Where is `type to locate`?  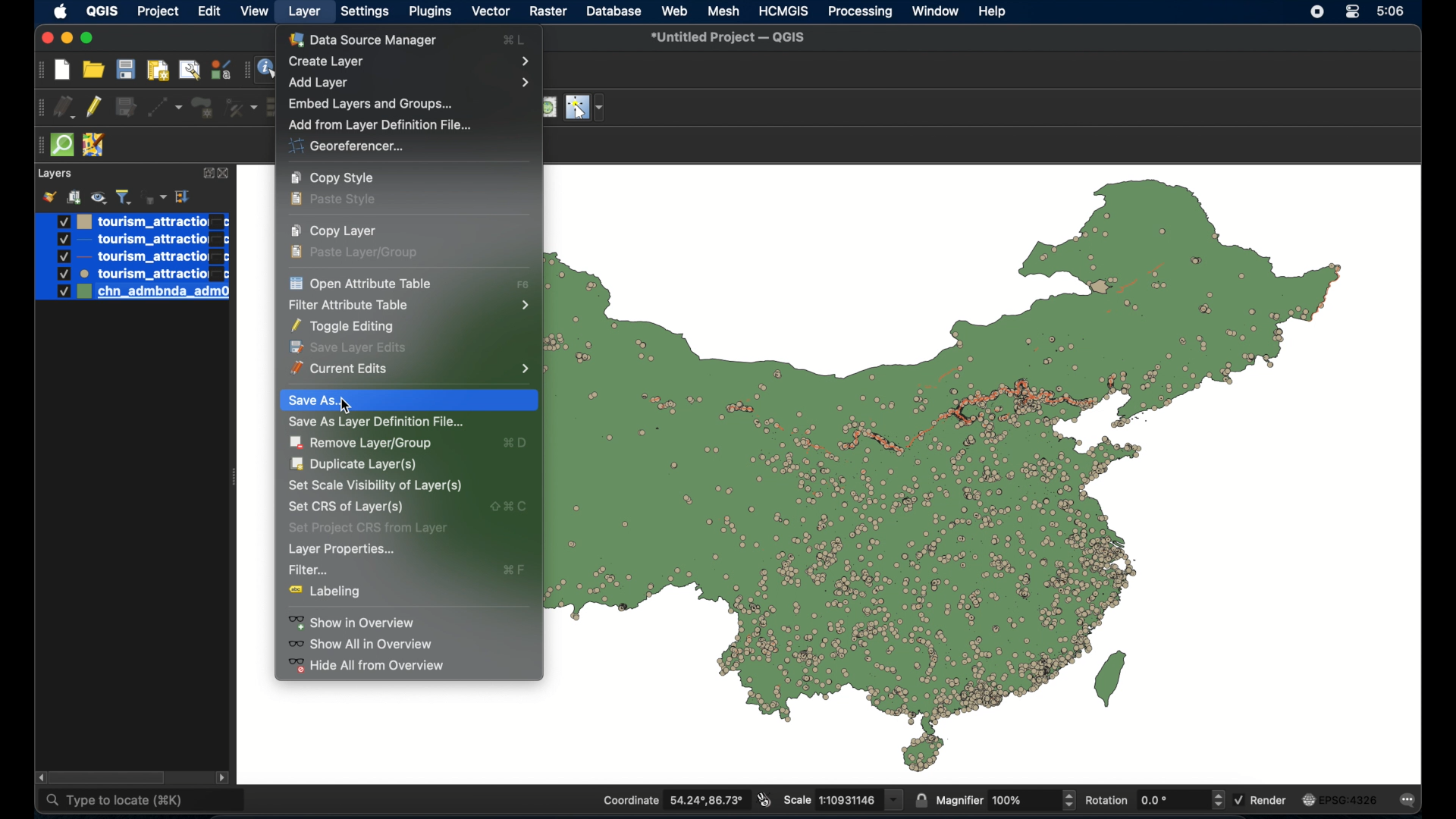 type to locate is located at coordinates (143, 800).